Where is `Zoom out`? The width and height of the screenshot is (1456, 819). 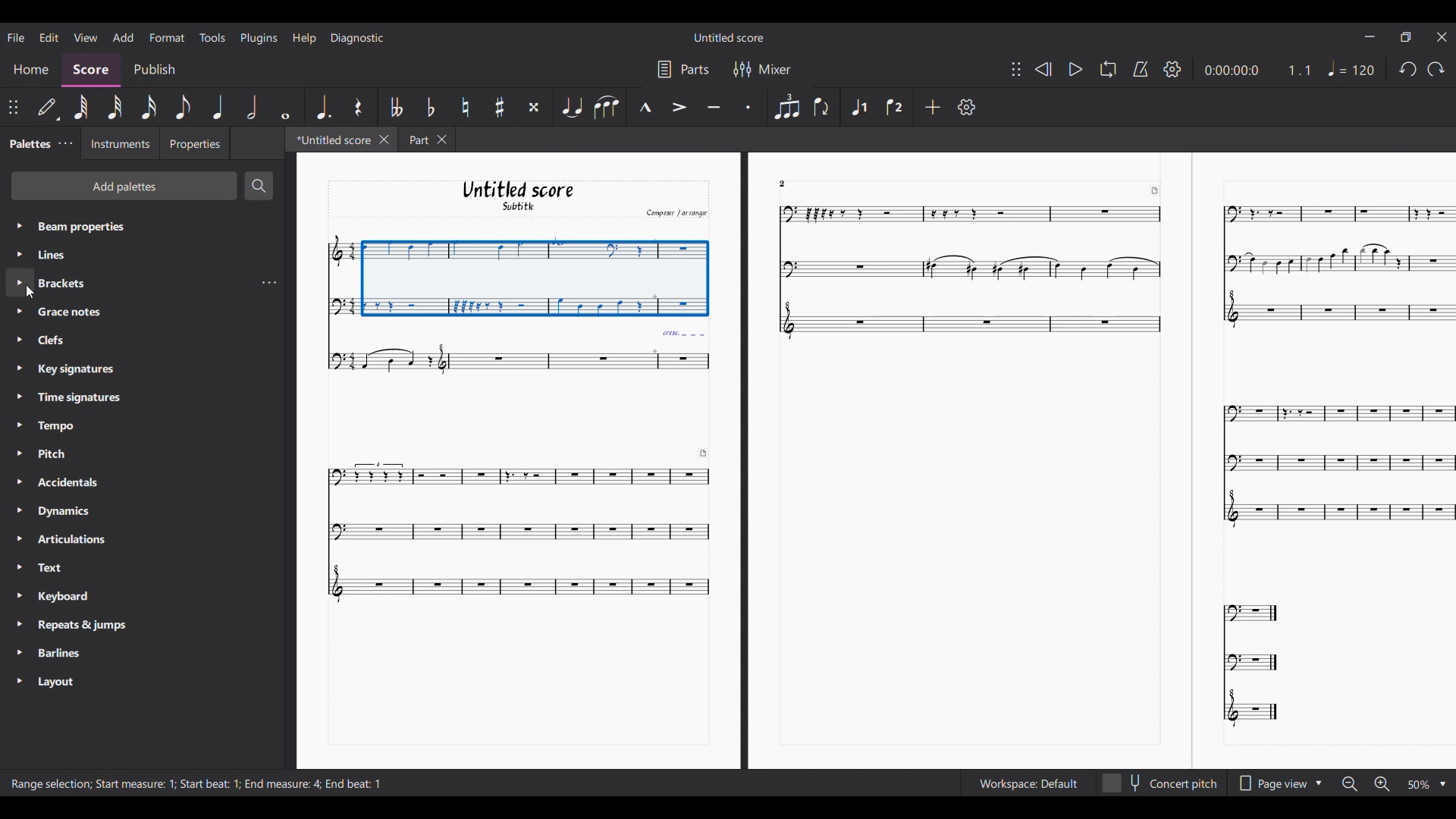
Zoom out is located at coordinates (1350, 785).